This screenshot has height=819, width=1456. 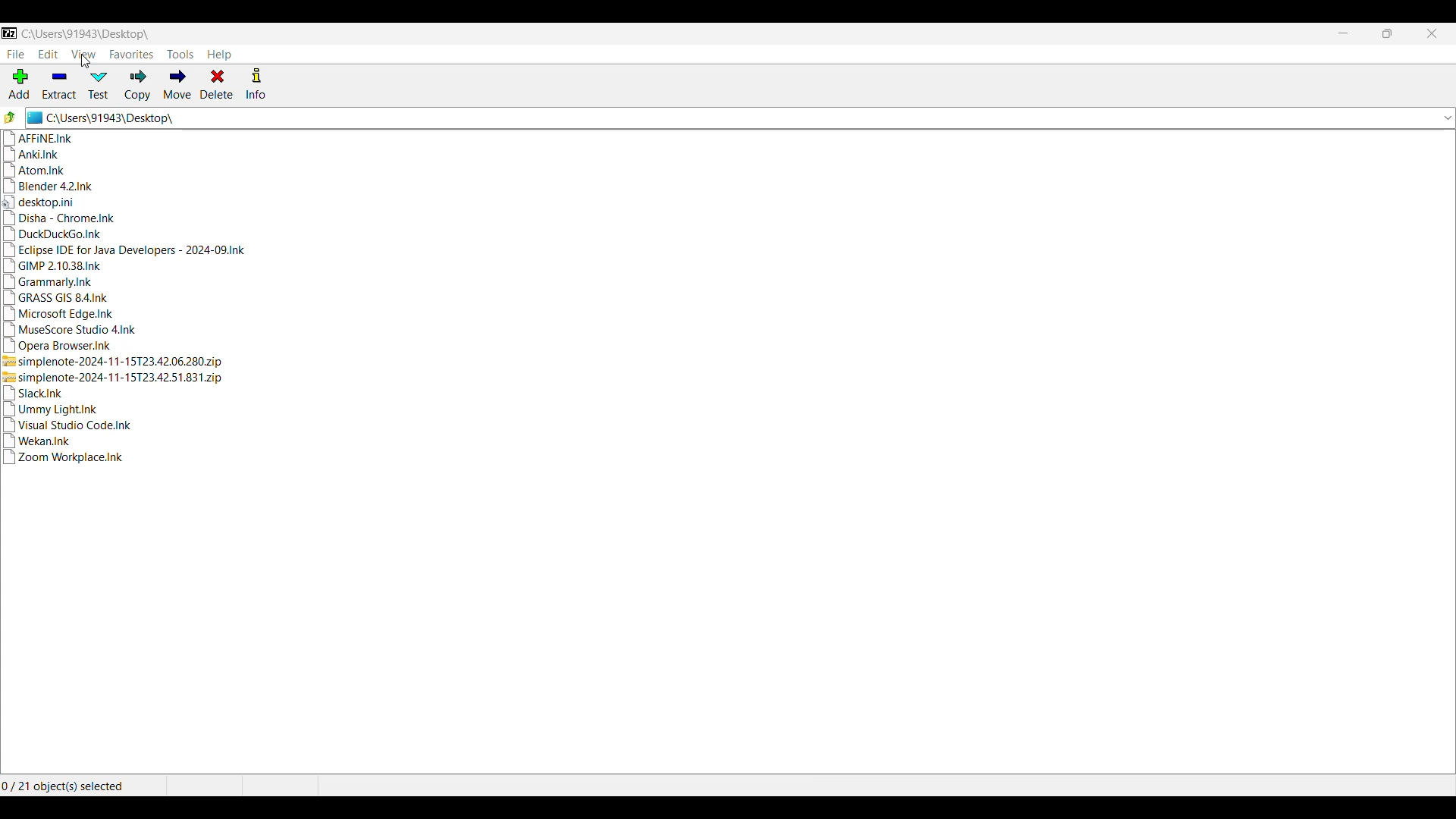 I want to click on 0 / 21 object(s) selected, so click(x=68, y=786).